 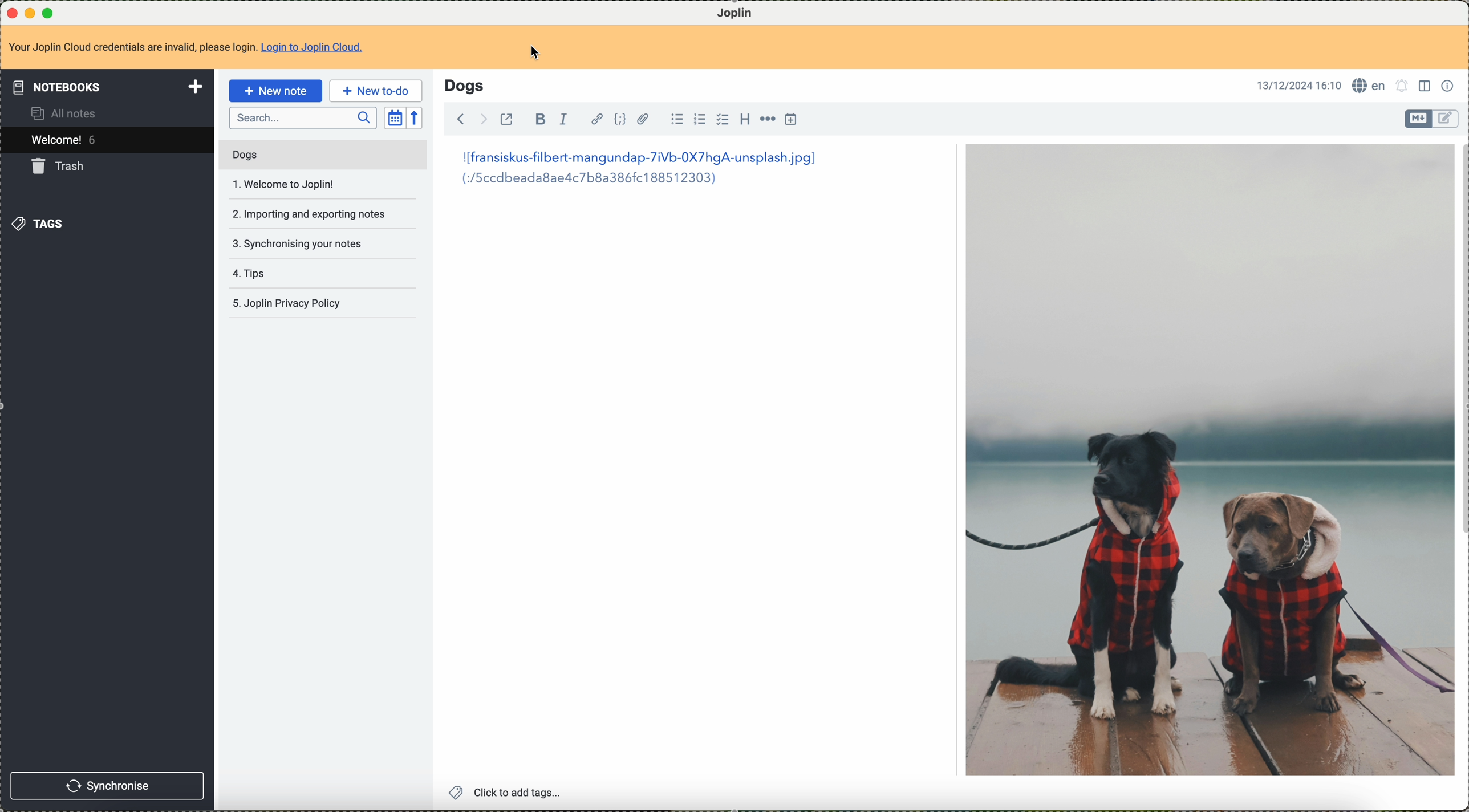 I want to click on 13/12/2024 16:10, so click(x=1296, y=84).